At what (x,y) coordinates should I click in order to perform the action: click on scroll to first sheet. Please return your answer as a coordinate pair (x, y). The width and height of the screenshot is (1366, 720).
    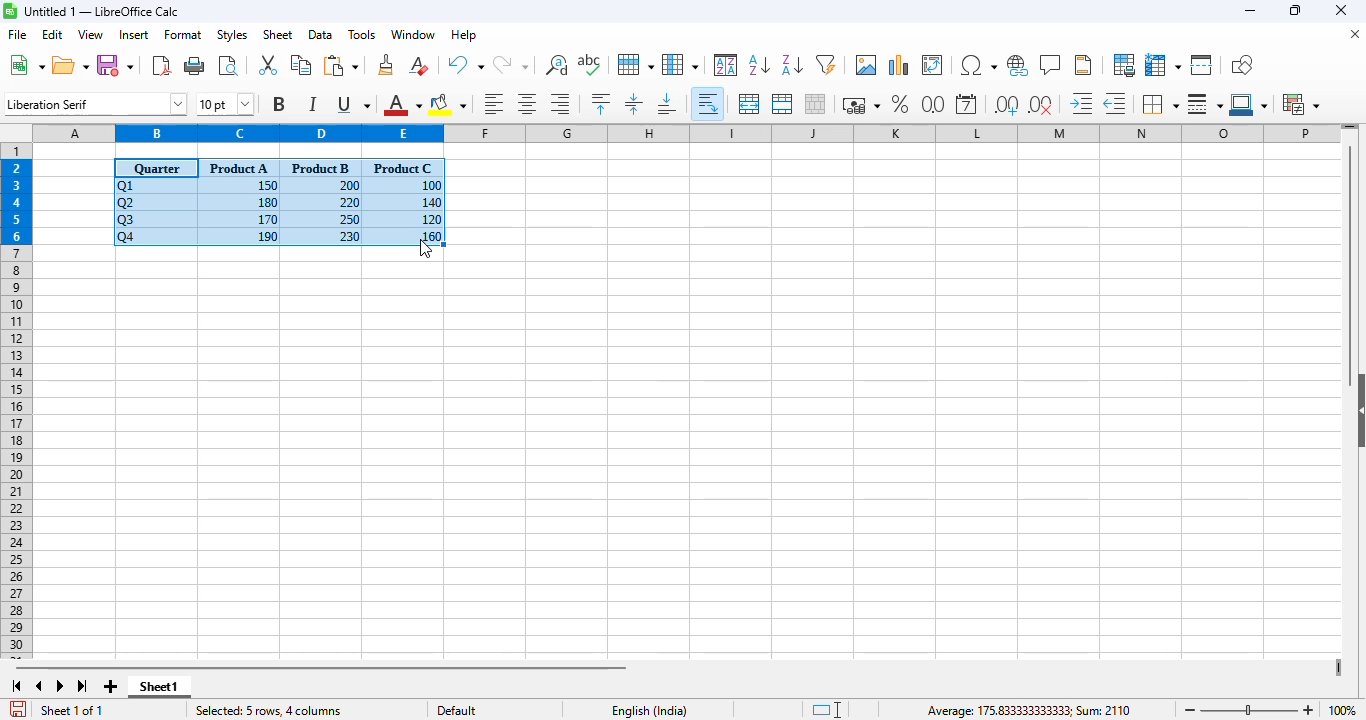
    Looking at the image, I should click on (16, 686).